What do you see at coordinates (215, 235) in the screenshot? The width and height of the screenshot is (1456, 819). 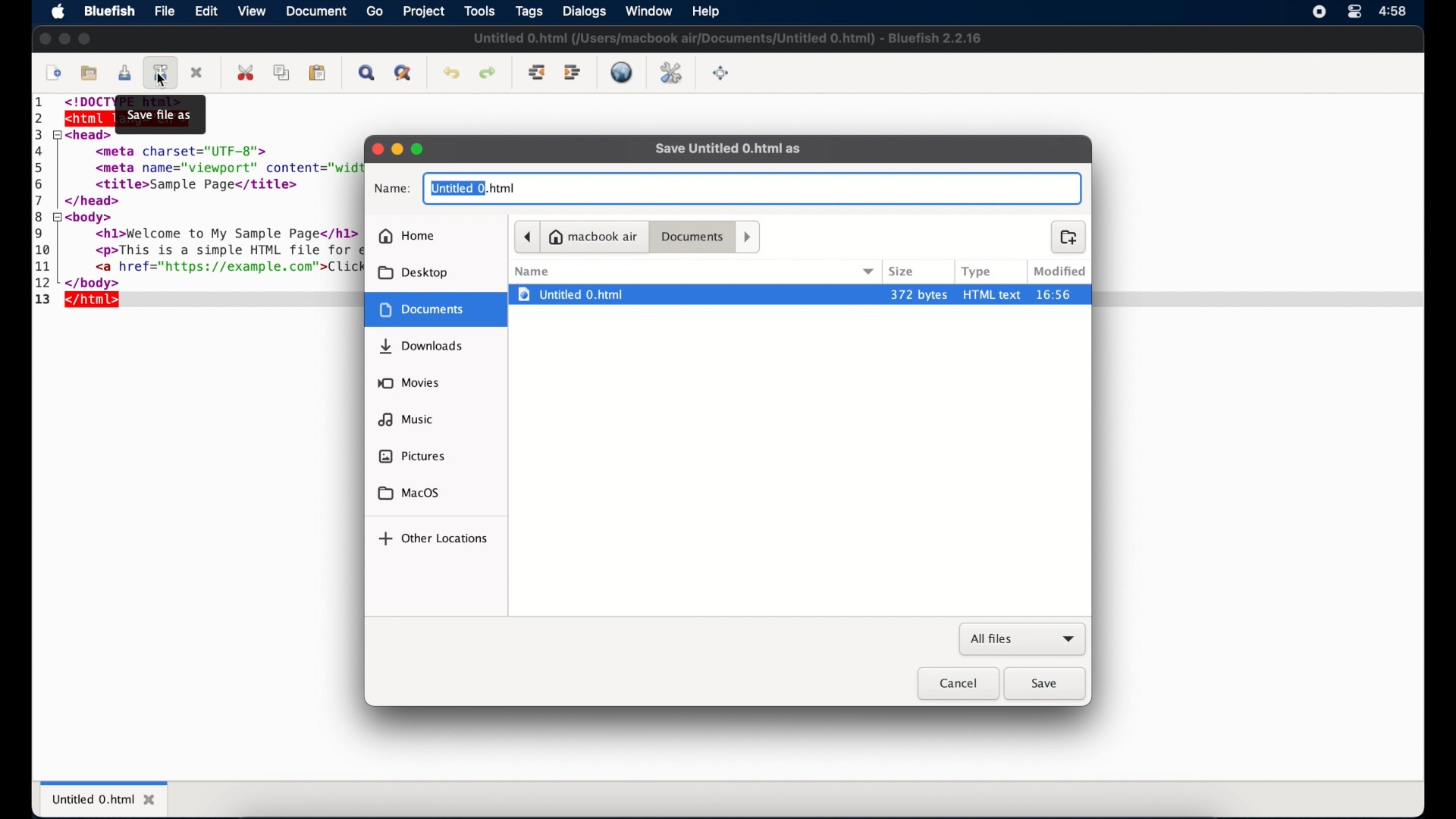 I see `<h1>Welcome to My Sample Page</h1>` at bounding box center [215, 235].